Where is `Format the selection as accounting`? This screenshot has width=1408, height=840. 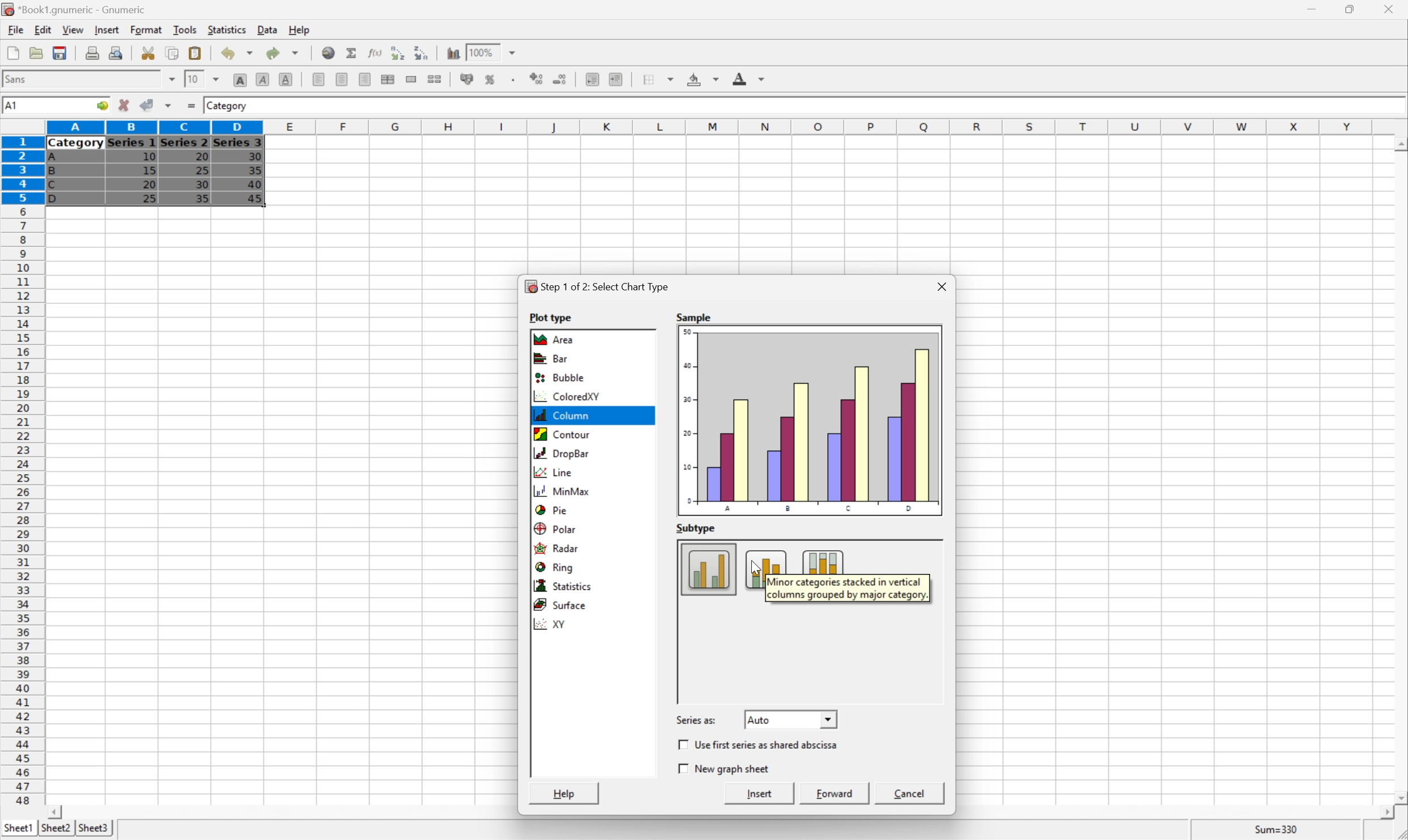 Format the selection as accounting is located at coordinates (462, 78).